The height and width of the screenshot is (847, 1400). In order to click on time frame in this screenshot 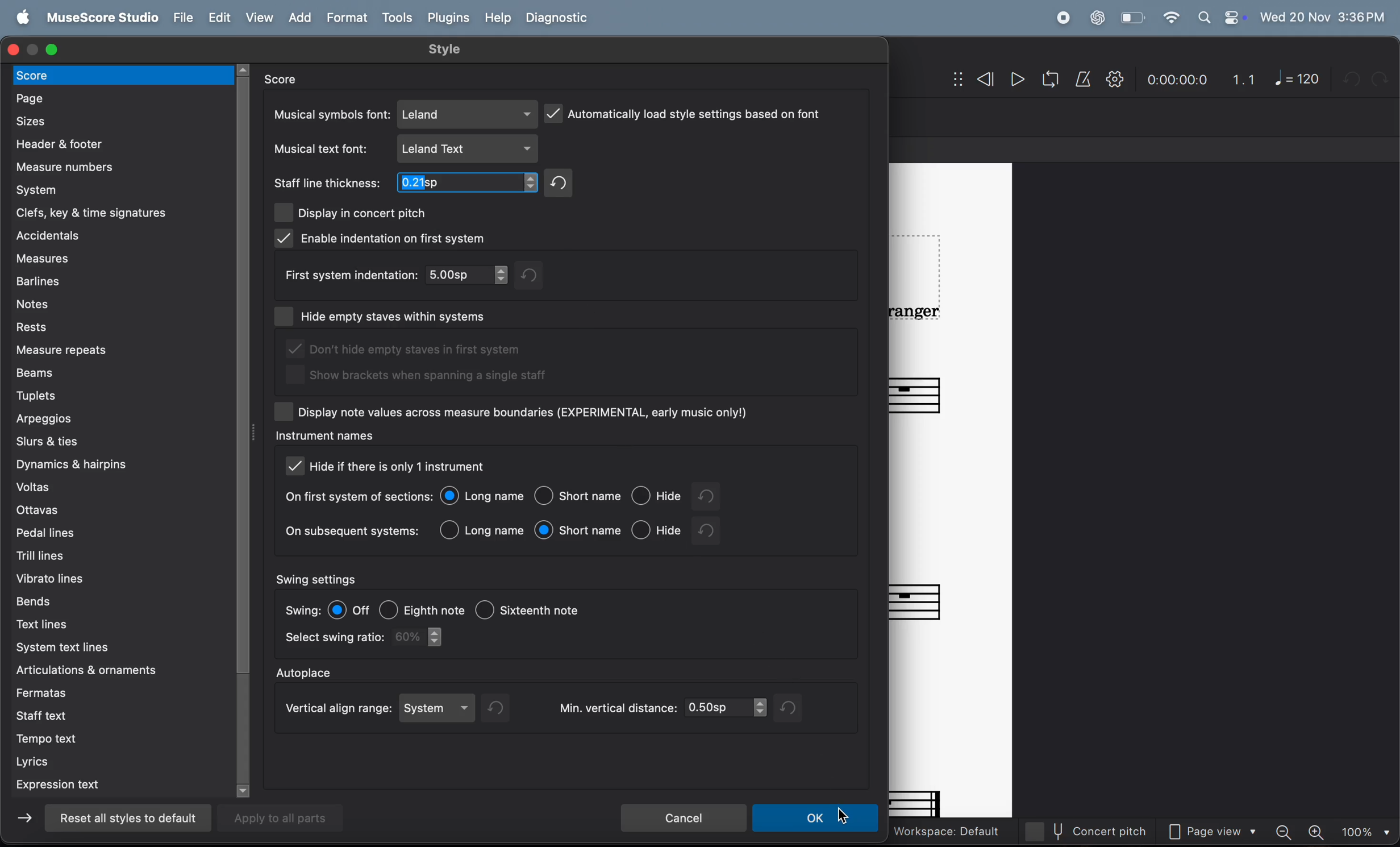, I will do `click(1176, 81)`.